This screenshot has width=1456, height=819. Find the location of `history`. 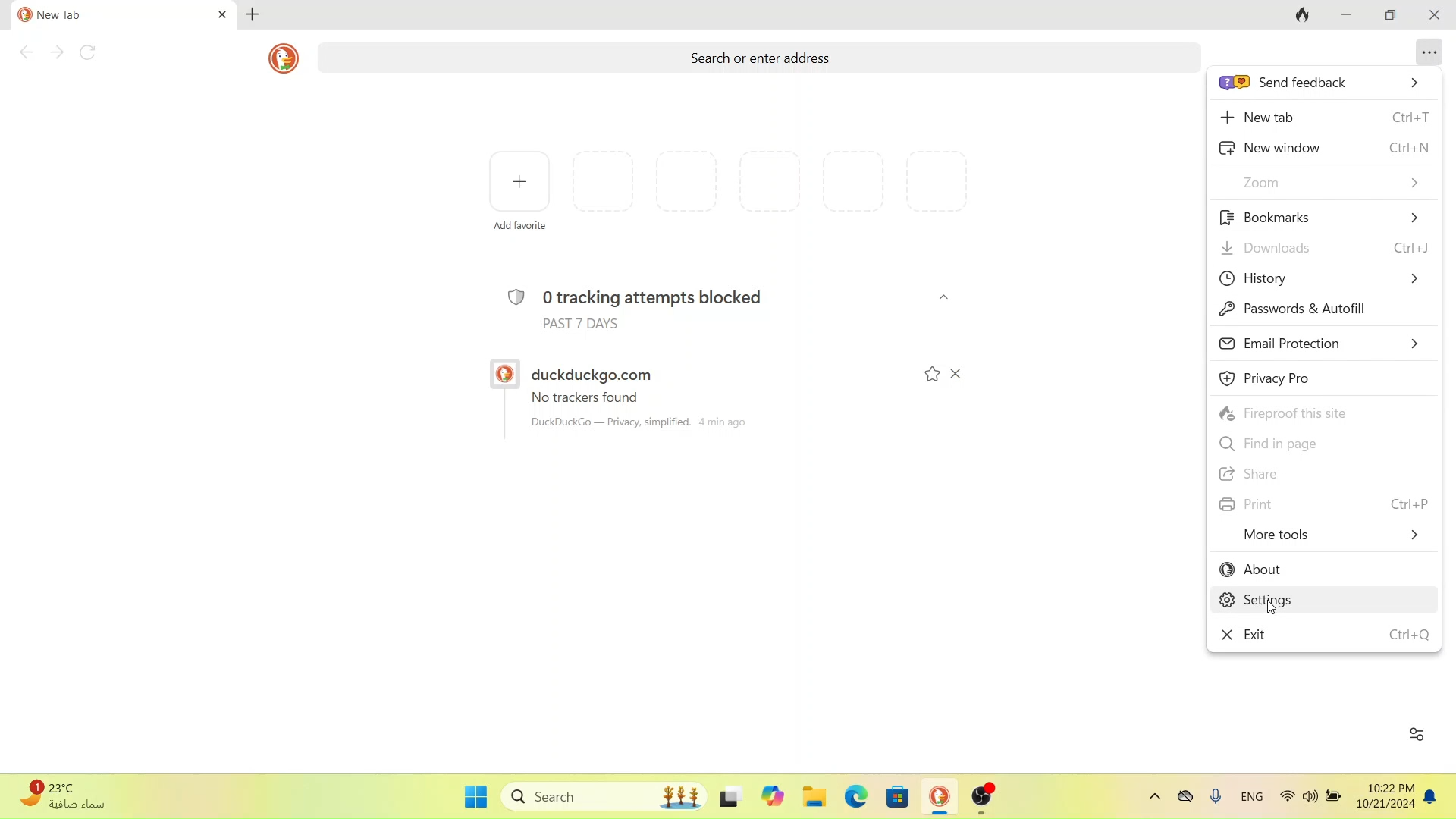

history is located at coordinates (1319, 279).